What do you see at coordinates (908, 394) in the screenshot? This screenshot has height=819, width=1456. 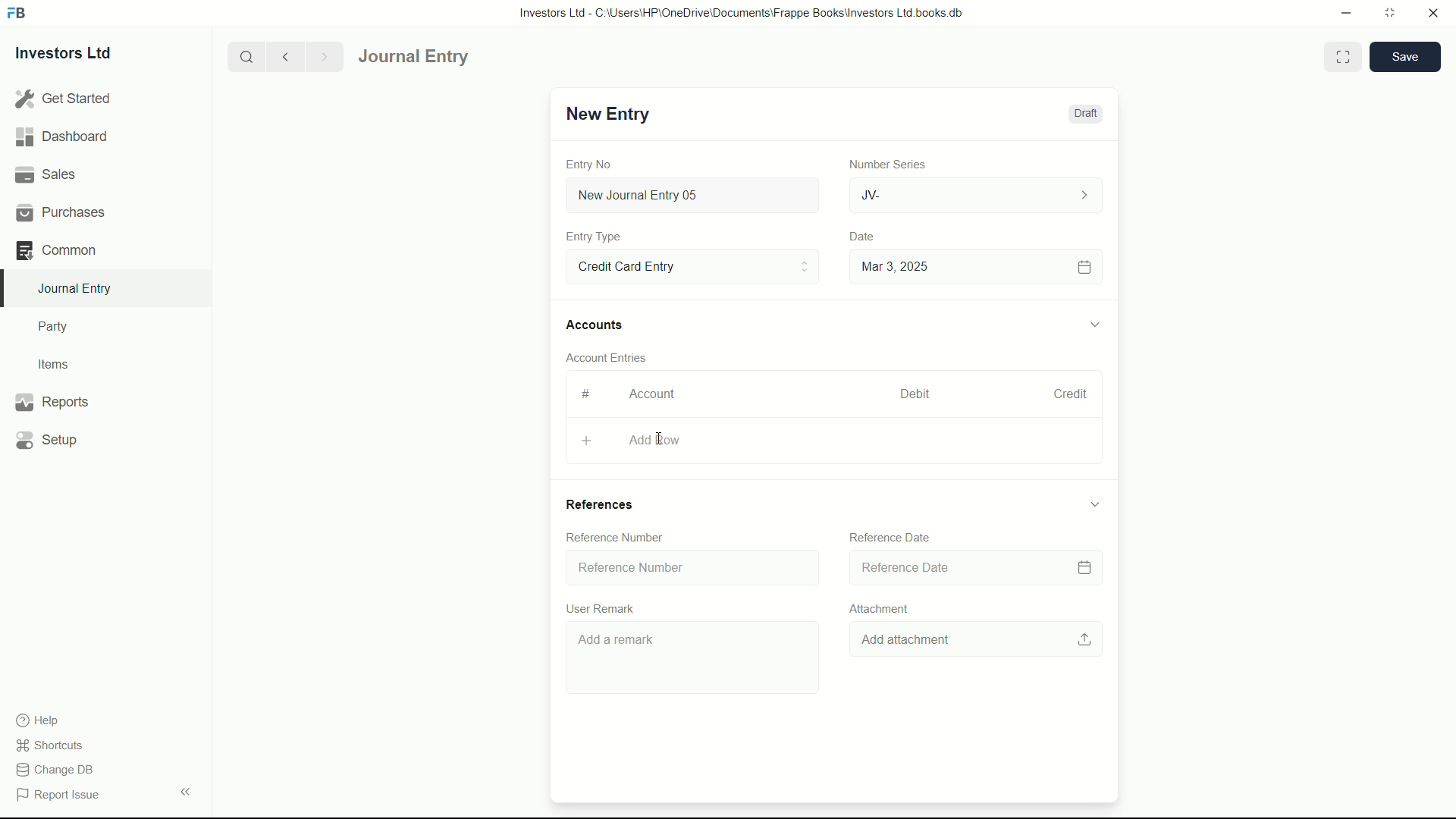 I see `Debit` at bounding box center [908, 394].